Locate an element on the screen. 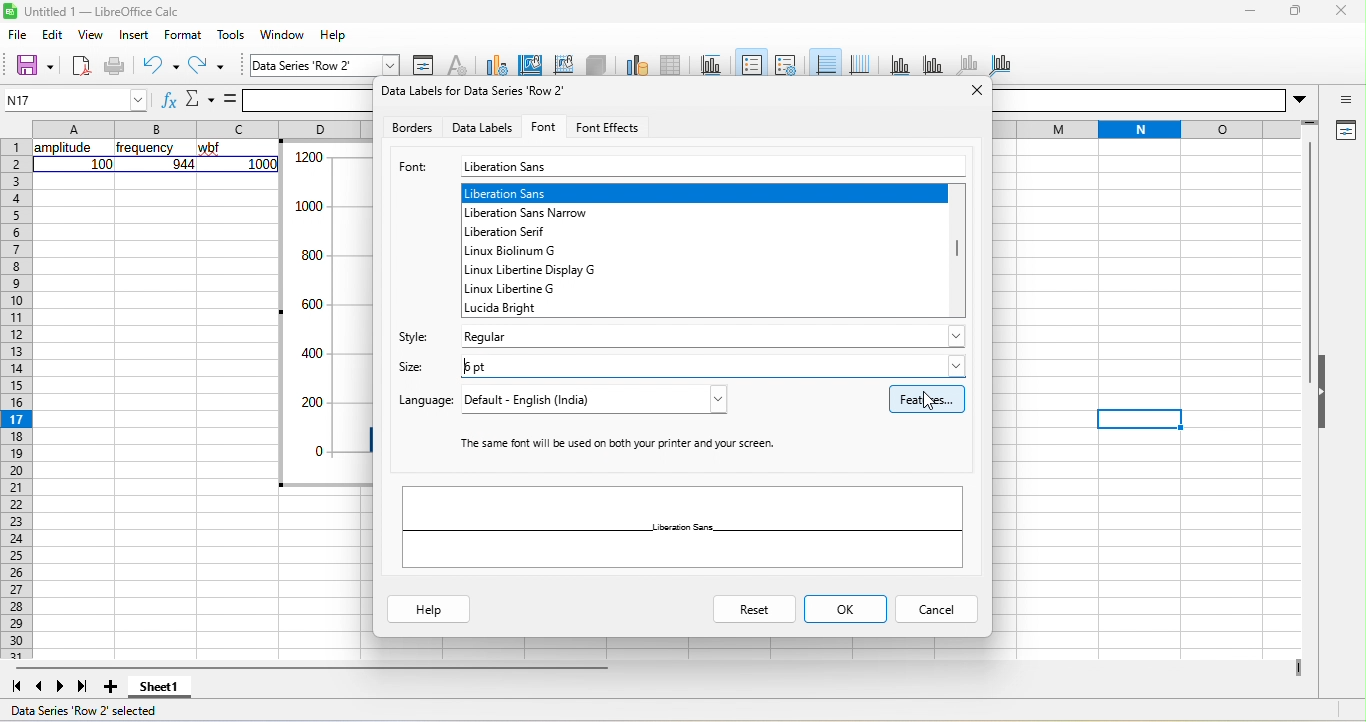 Image resolution: width=1366 pixels, height=722 pixels. cursor movement is located at coordinates (928, 401).